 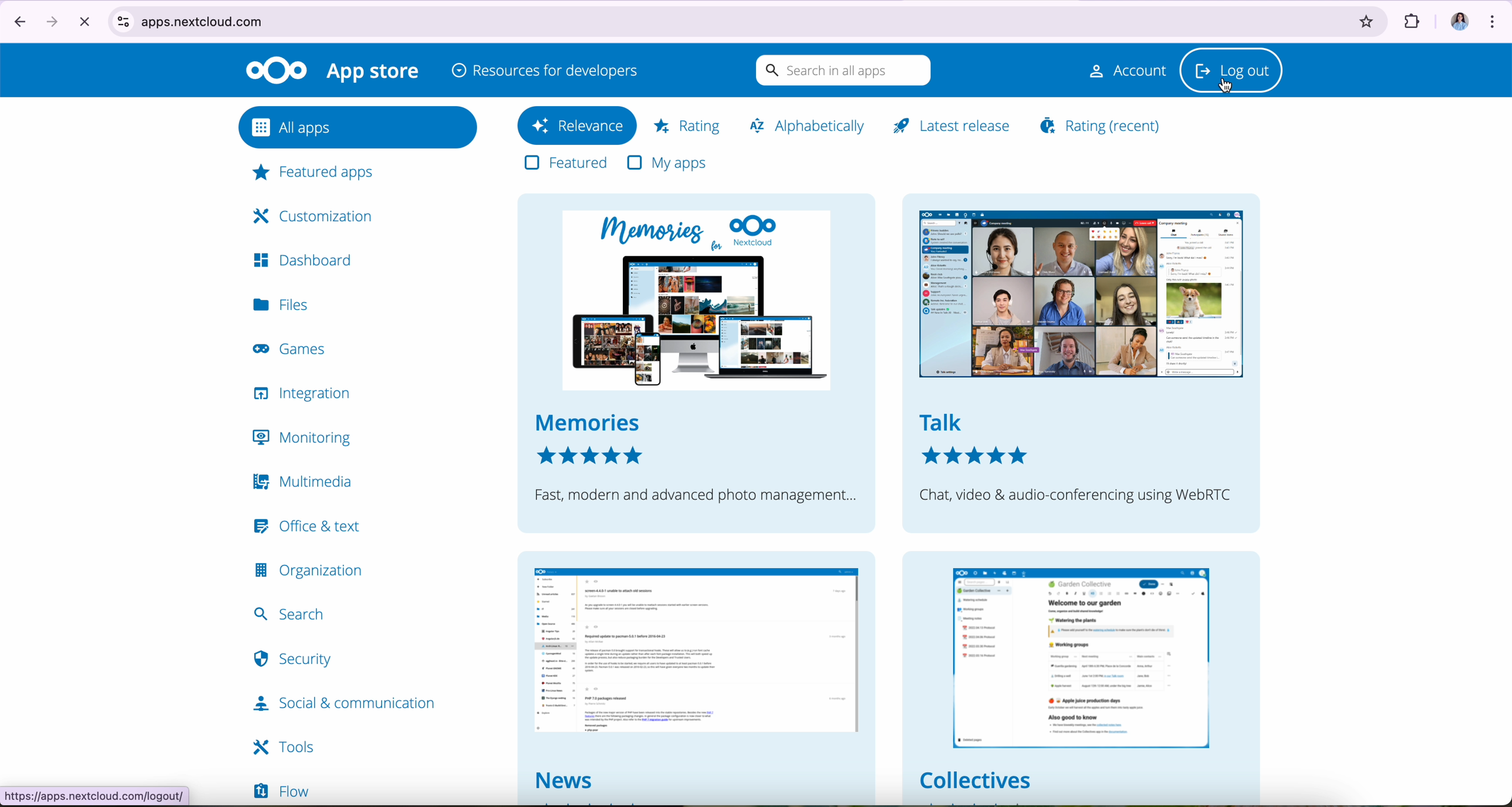 I want to click on rating (recent), so click(x=1101, y=124).